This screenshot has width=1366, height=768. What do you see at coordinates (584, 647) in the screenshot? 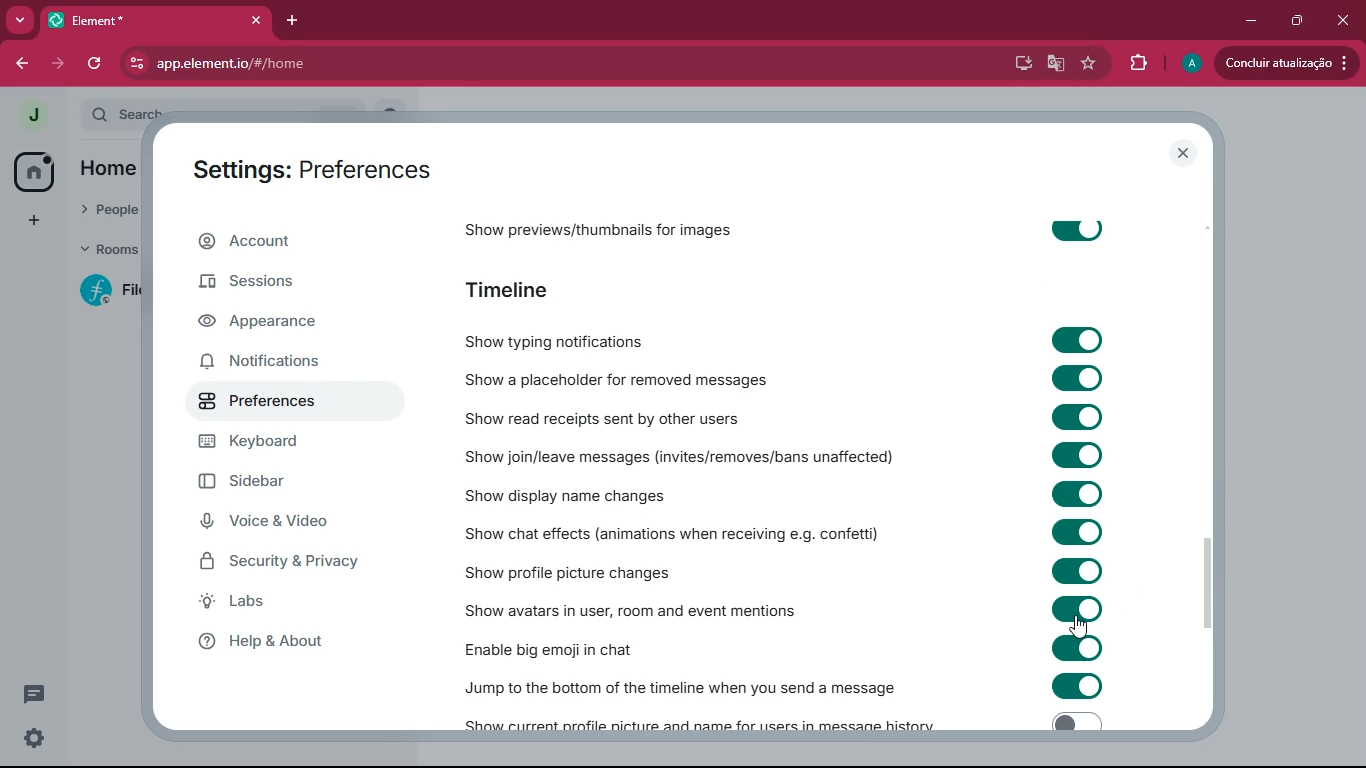
I see `enable big emoji in chat` at bounding box center [584, 647].